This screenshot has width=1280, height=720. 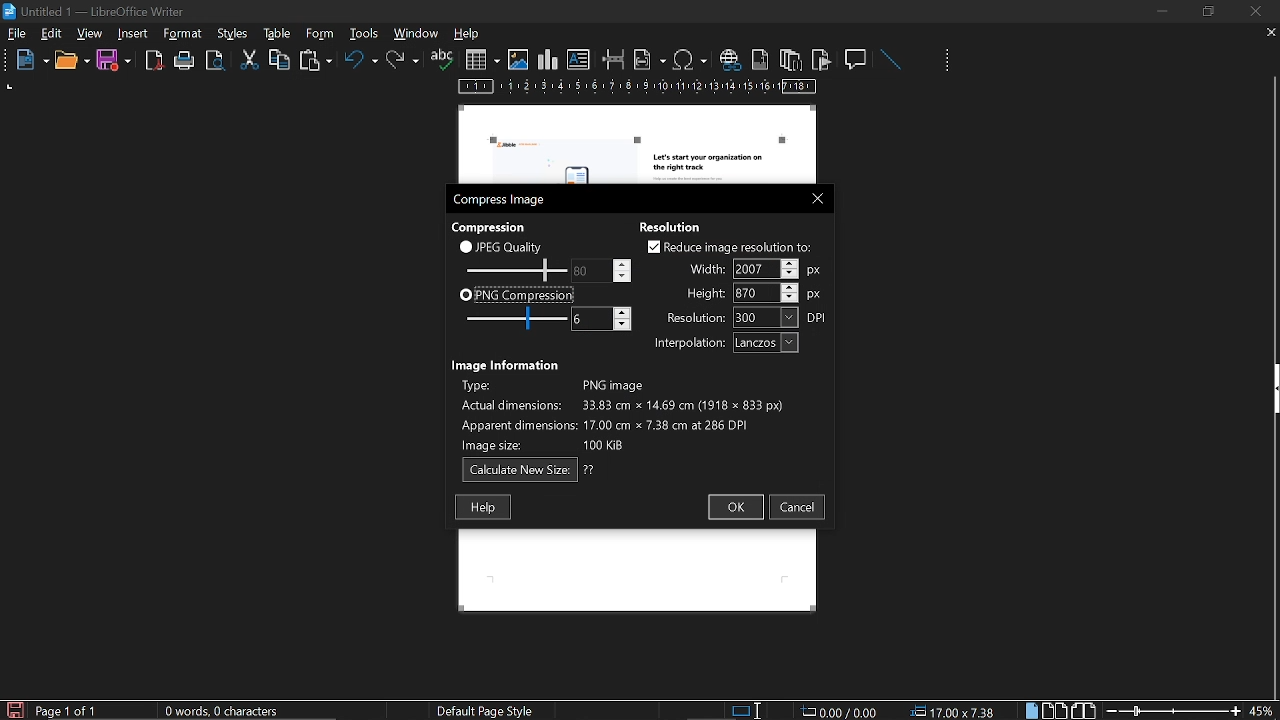 I want to click on new, so click(x=27, y=61).